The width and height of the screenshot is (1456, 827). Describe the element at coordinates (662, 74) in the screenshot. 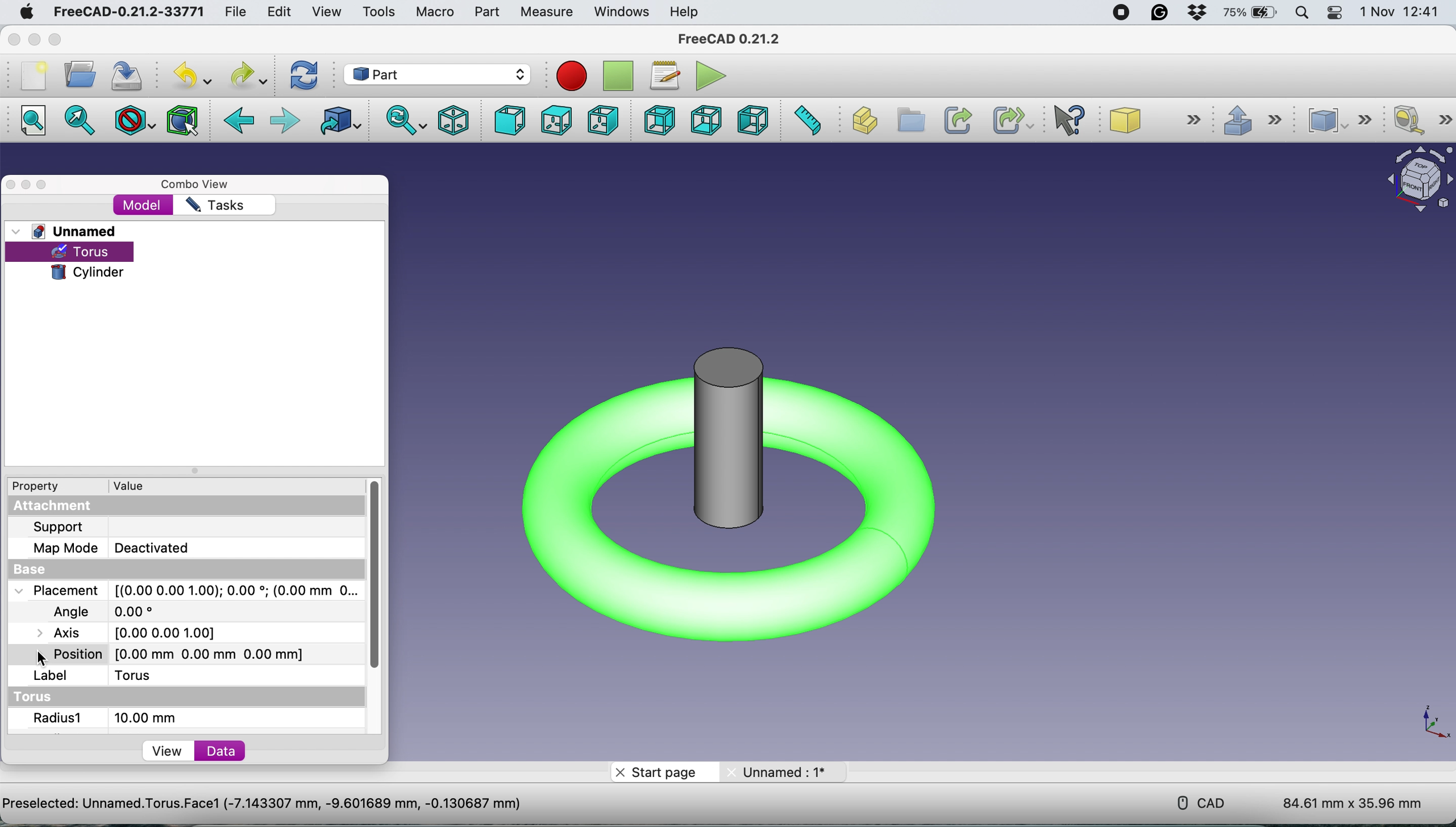

I see `macros` at that location.